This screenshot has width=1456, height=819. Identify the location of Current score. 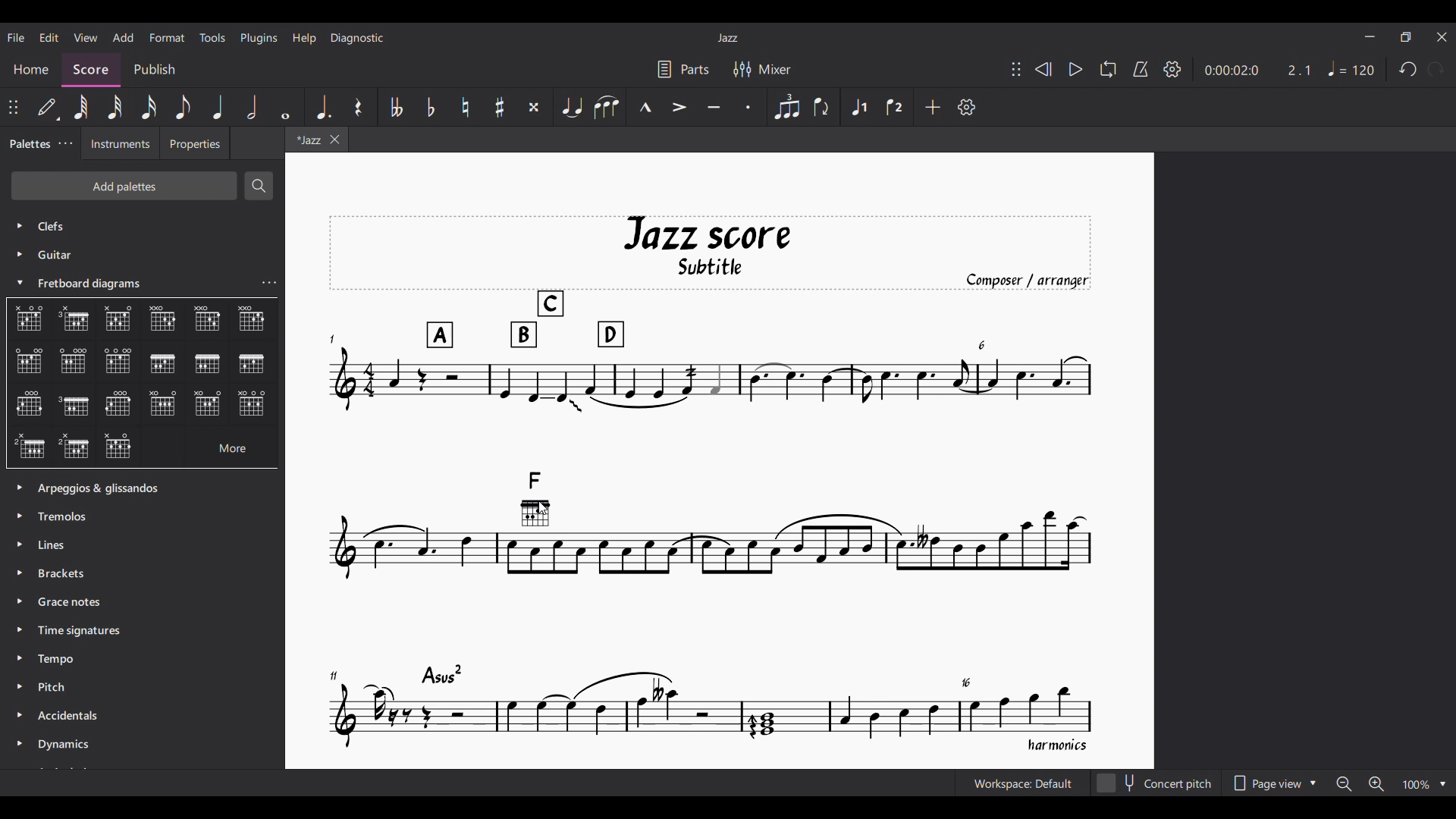
(711, 475).